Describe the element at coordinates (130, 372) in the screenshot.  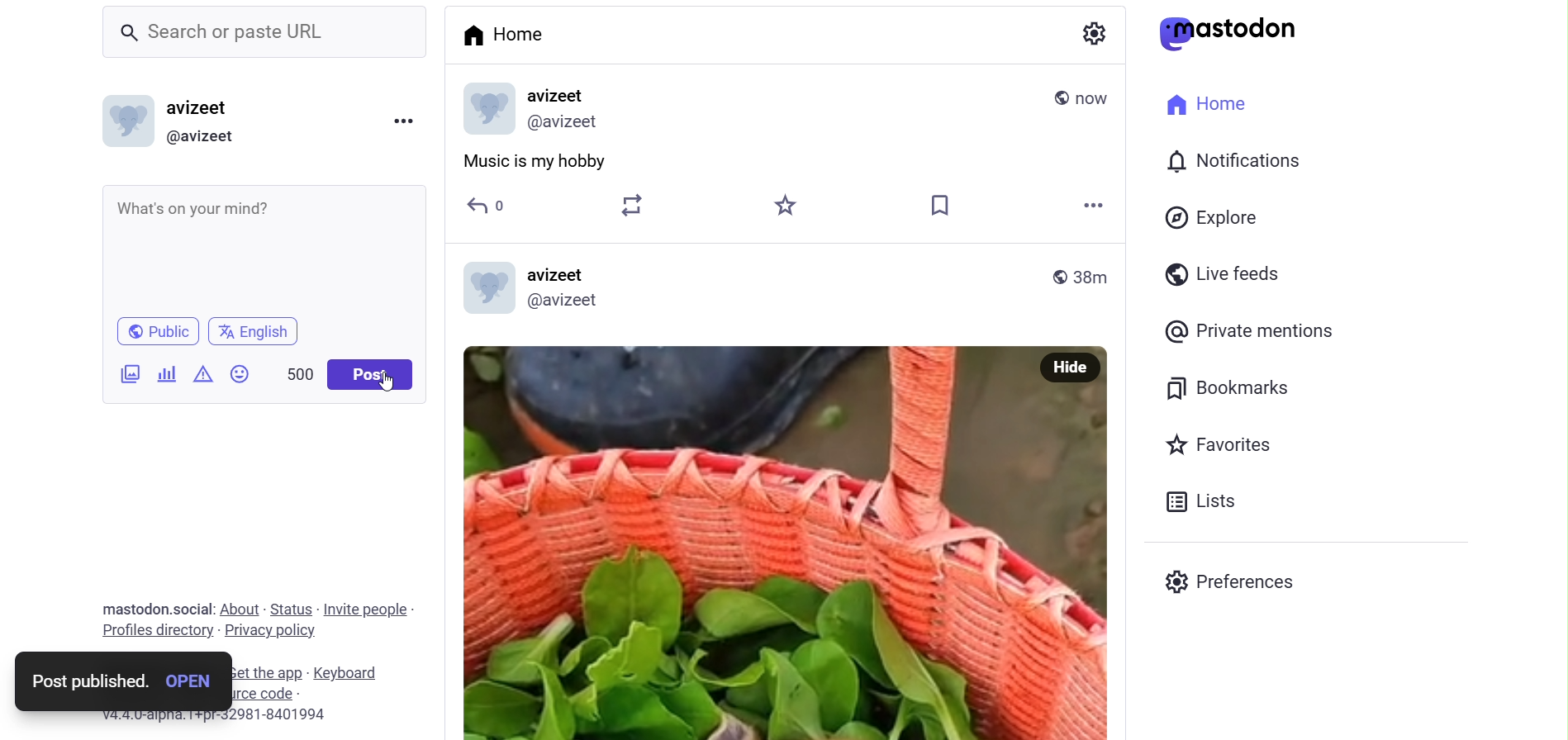
I see `Add Image` at that location.